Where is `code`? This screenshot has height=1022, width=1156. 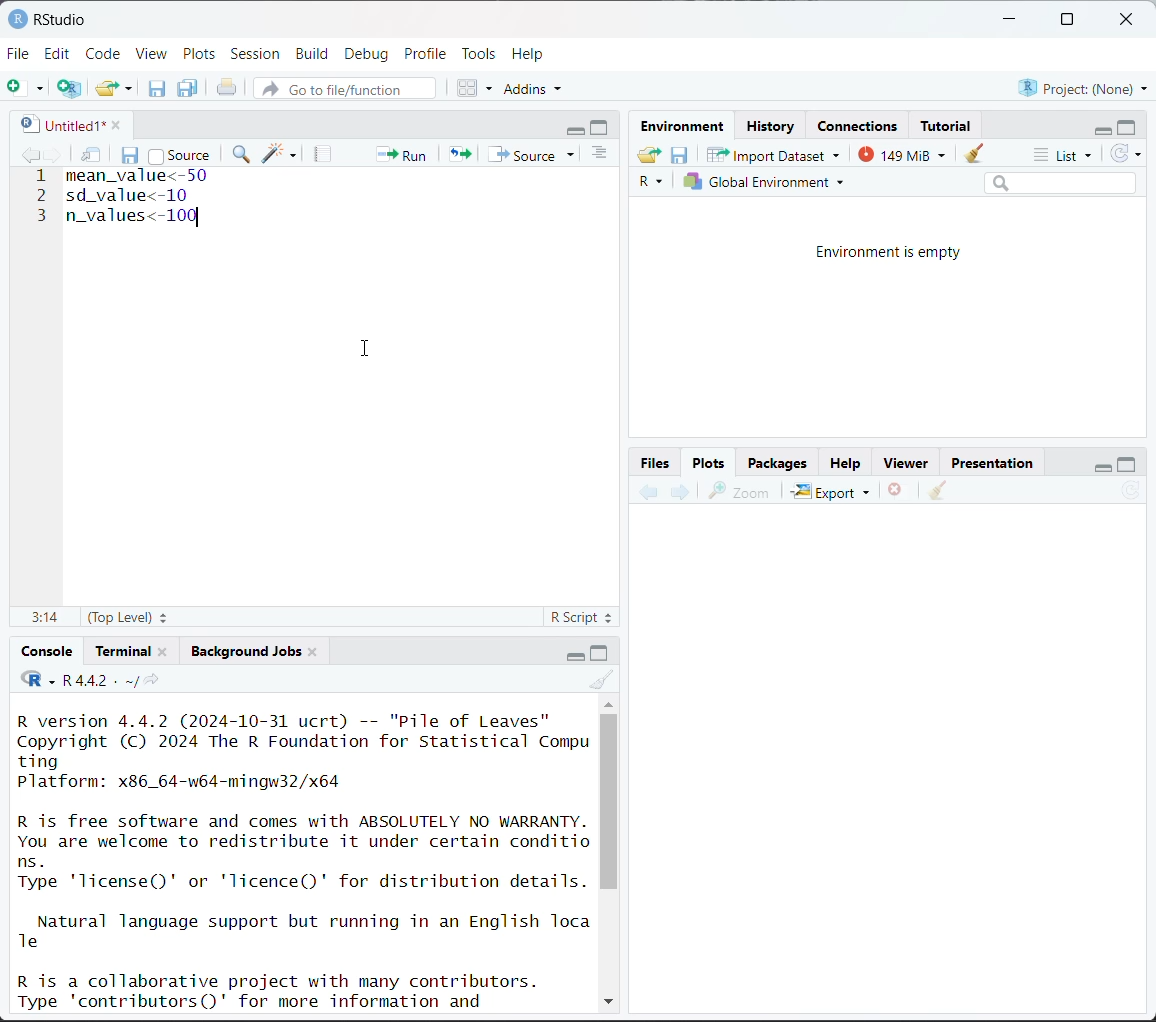
code is located at coordinates (37, 680).